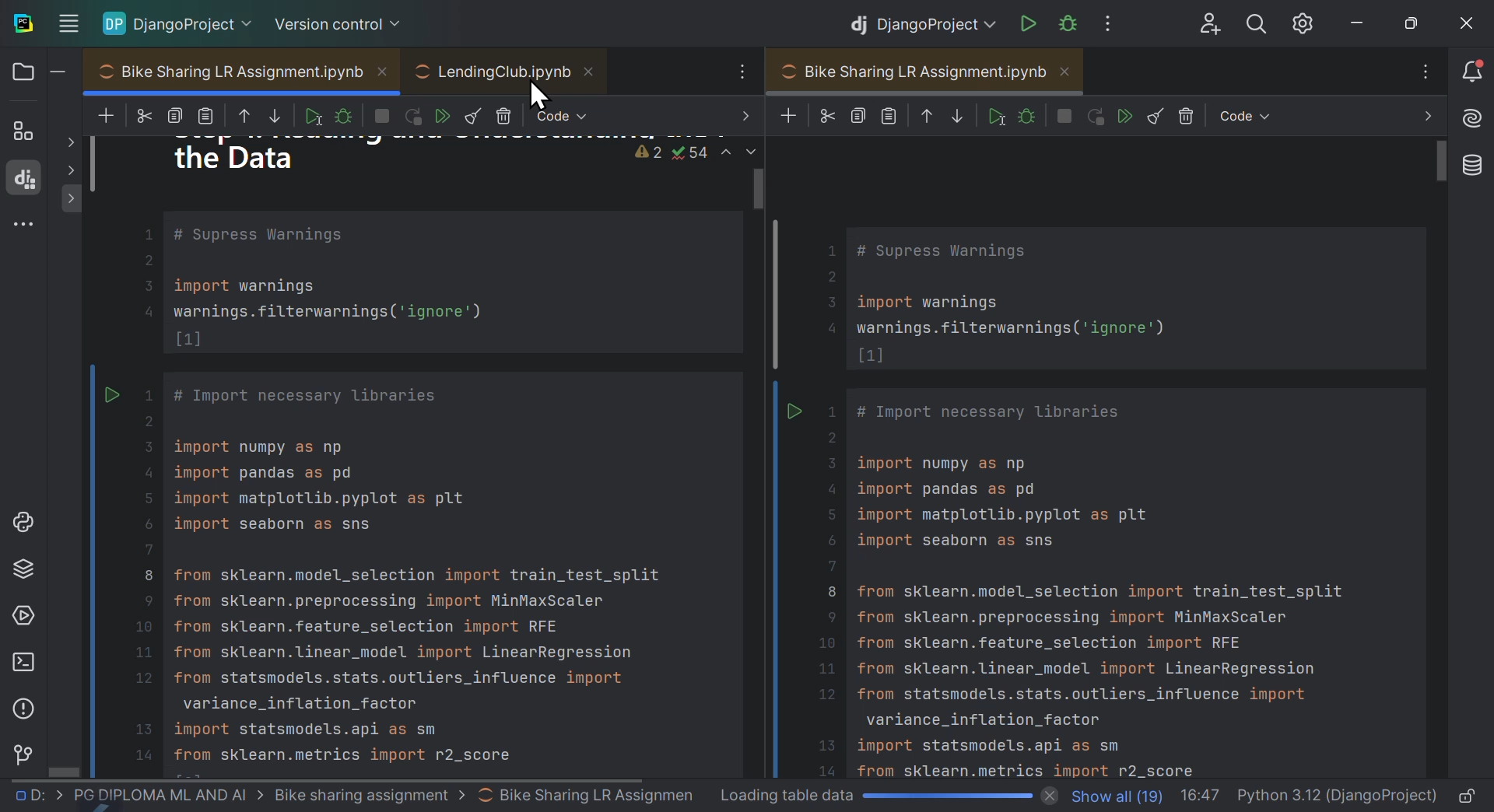  Describe the element at coordinates (23, 753) in the screenshot. I see `Version control` at that location.